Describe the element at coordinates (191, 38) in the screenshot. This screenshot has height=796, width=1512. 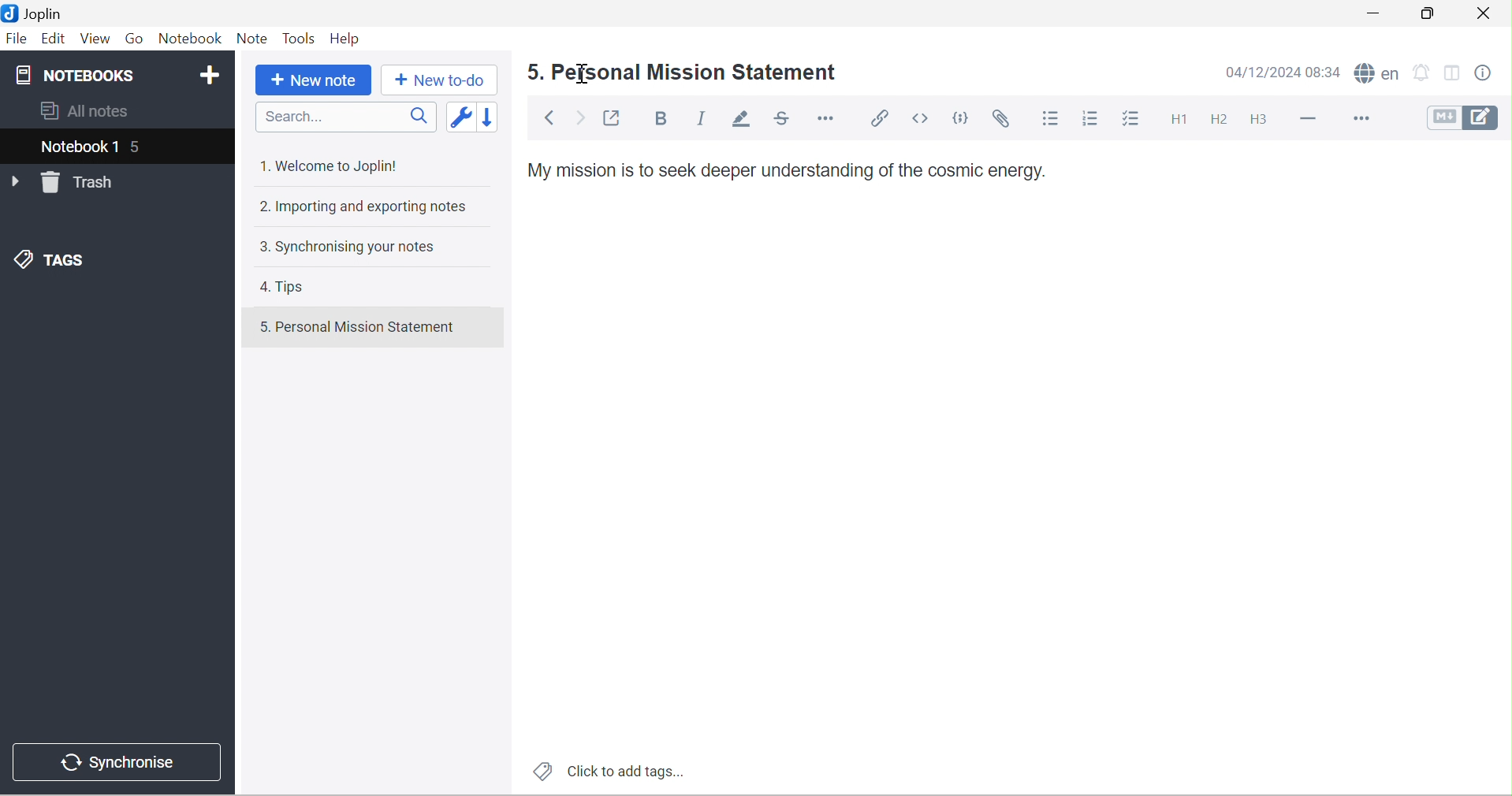
I see `Notebook` at that location.